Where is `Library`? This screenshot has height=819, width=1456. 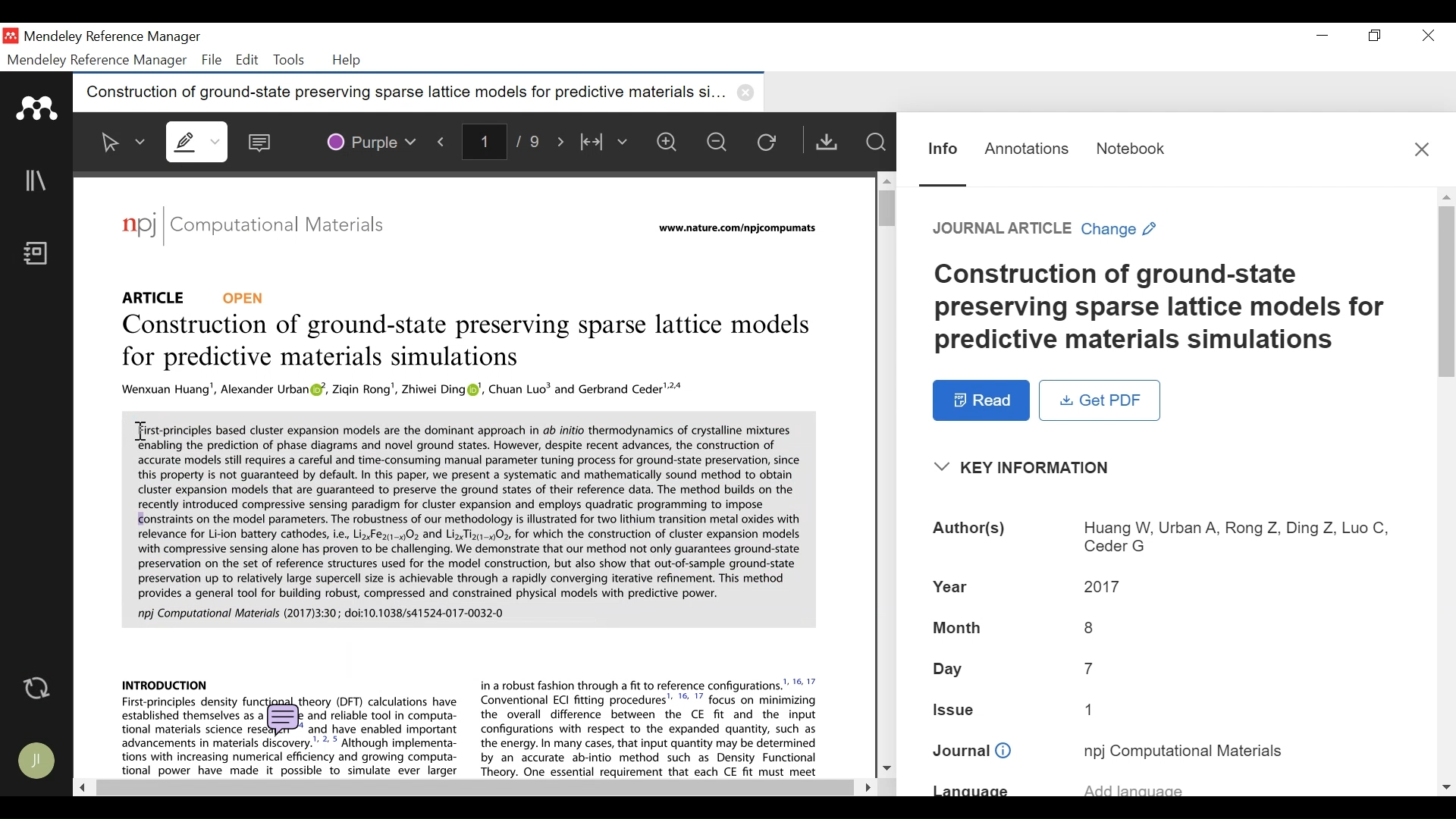 Library is located at coordinates (37, 180).